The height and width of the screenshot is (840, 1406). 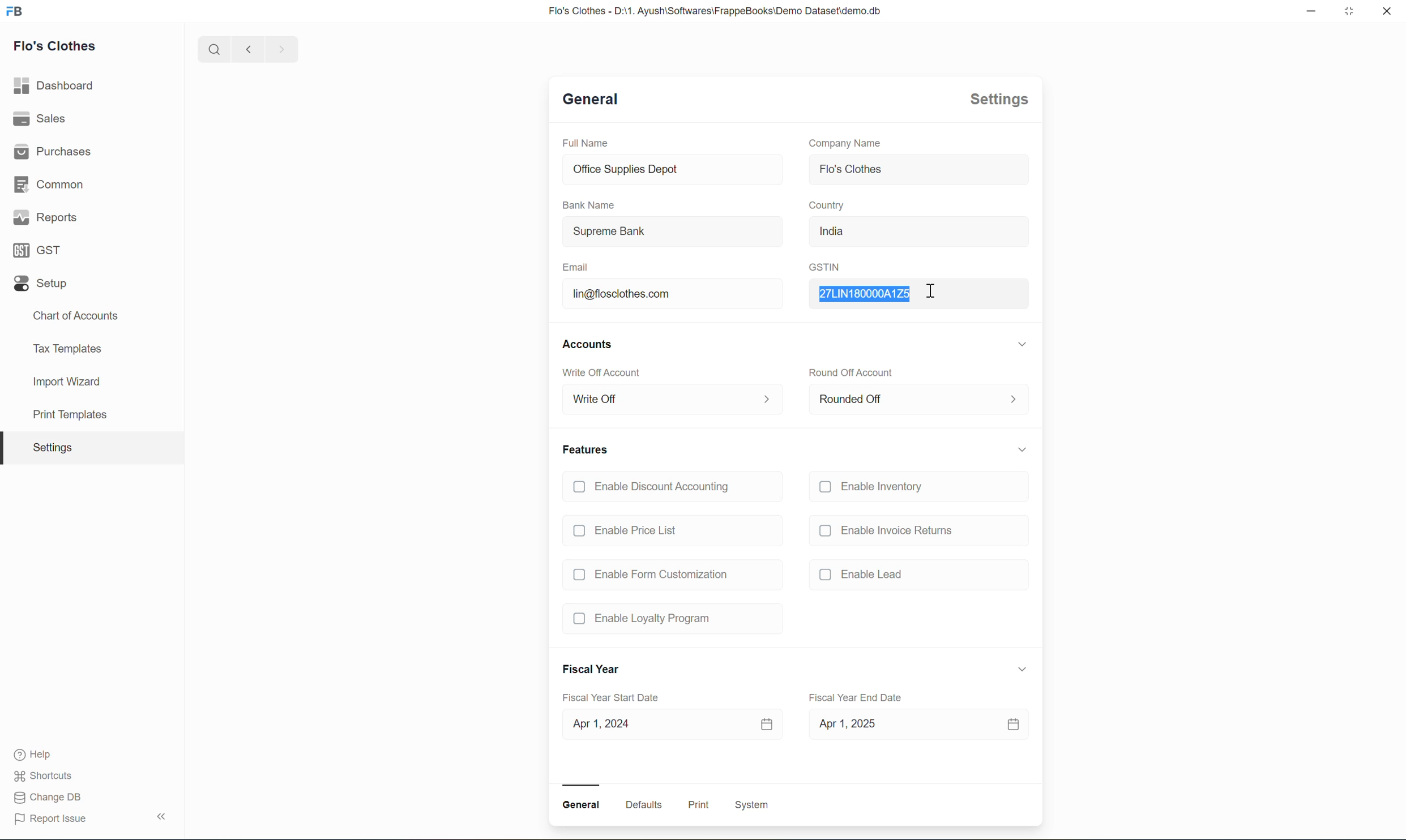 What do you see at coordinates (584, 143) in the screenshot?
I see `Full Name` at bounding box center [584, 143].